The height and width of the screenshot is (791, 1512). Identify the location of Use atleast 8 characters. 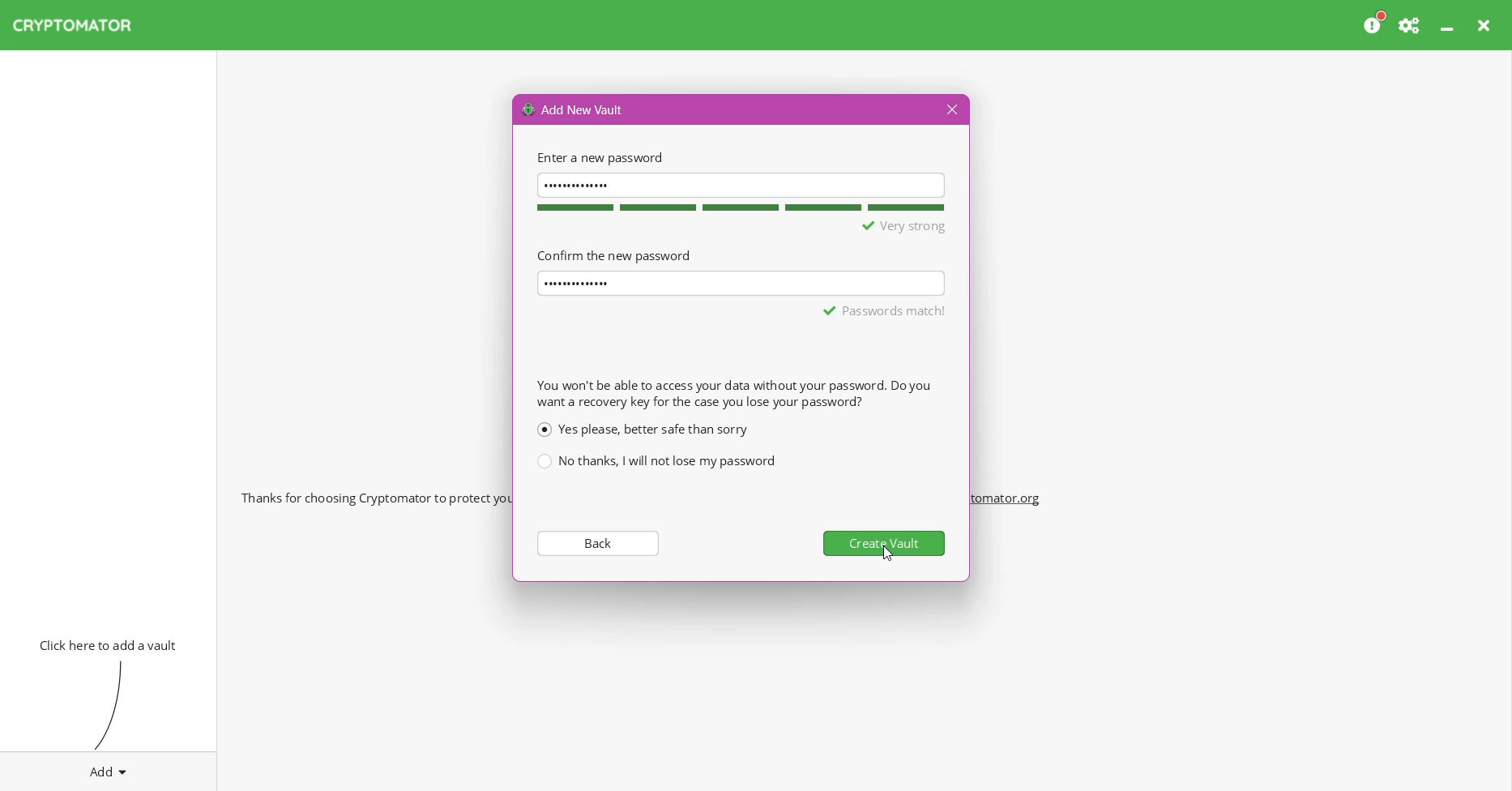
(876, 227).